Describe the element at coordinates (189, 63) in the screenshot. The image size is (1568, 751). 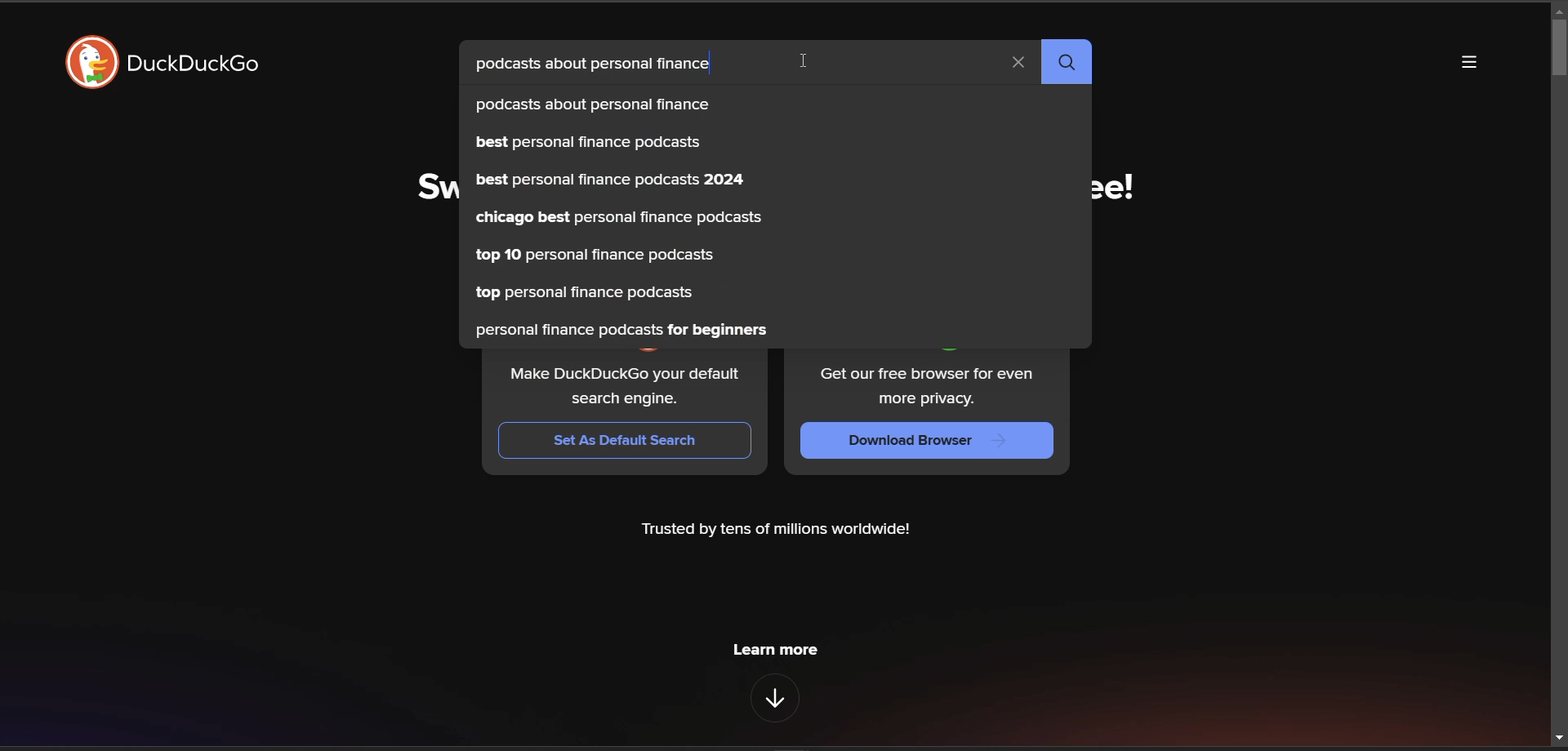
I see `DuckDuckGo` at that location.